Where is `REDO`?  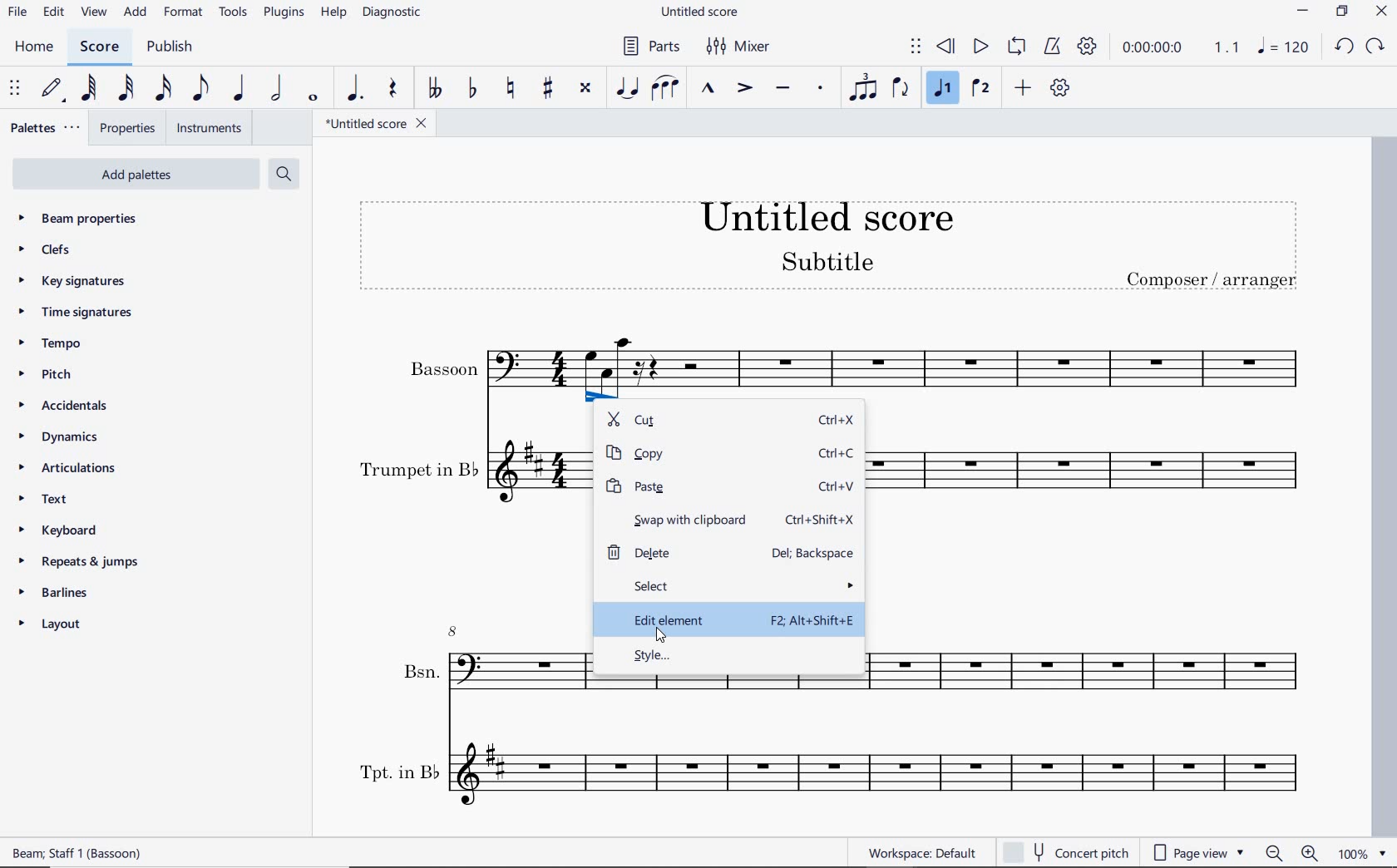 REDO is located at coordinates (1379, 47).